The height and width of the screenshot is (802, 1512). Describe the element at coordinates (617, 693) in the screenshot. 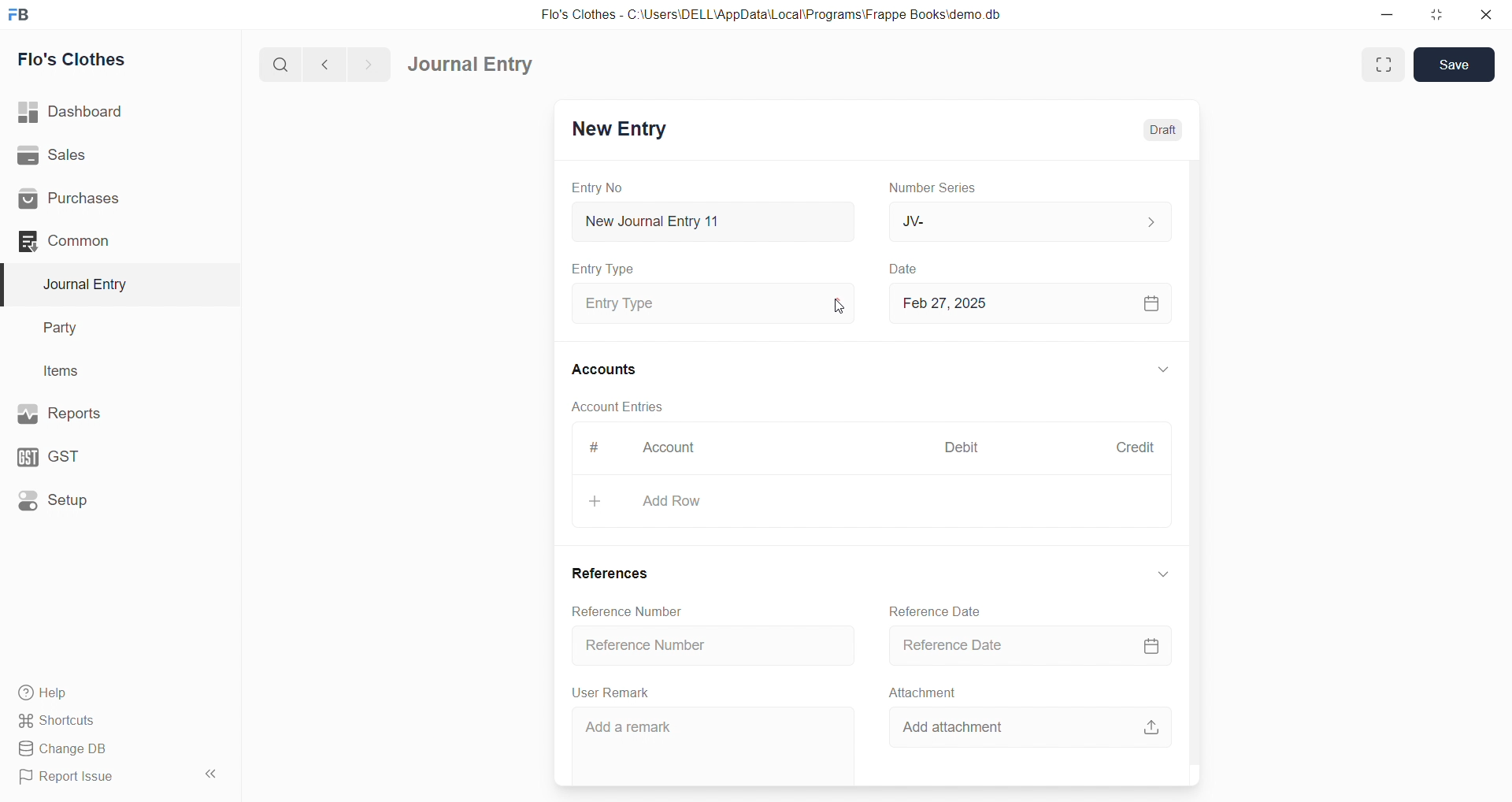

I see `User Remark` at that location.